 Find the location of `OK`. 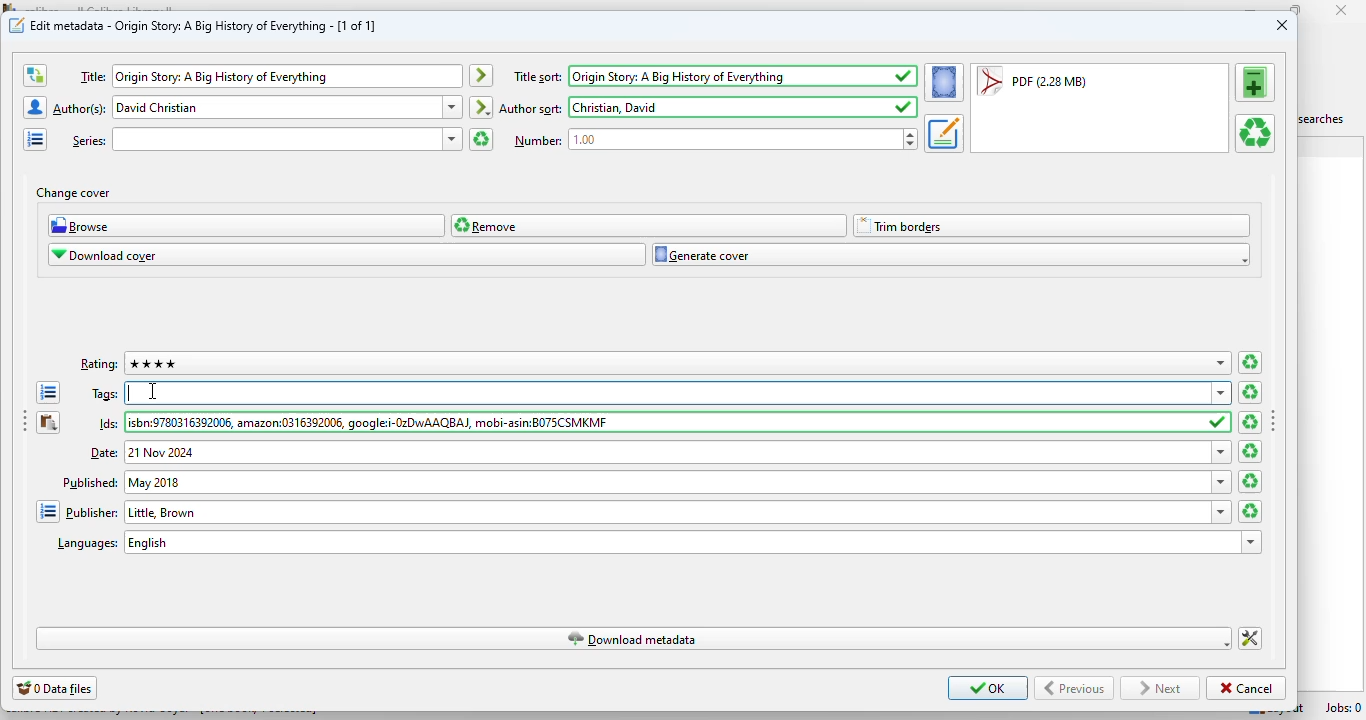

OK is located at coordinates (988, 688).